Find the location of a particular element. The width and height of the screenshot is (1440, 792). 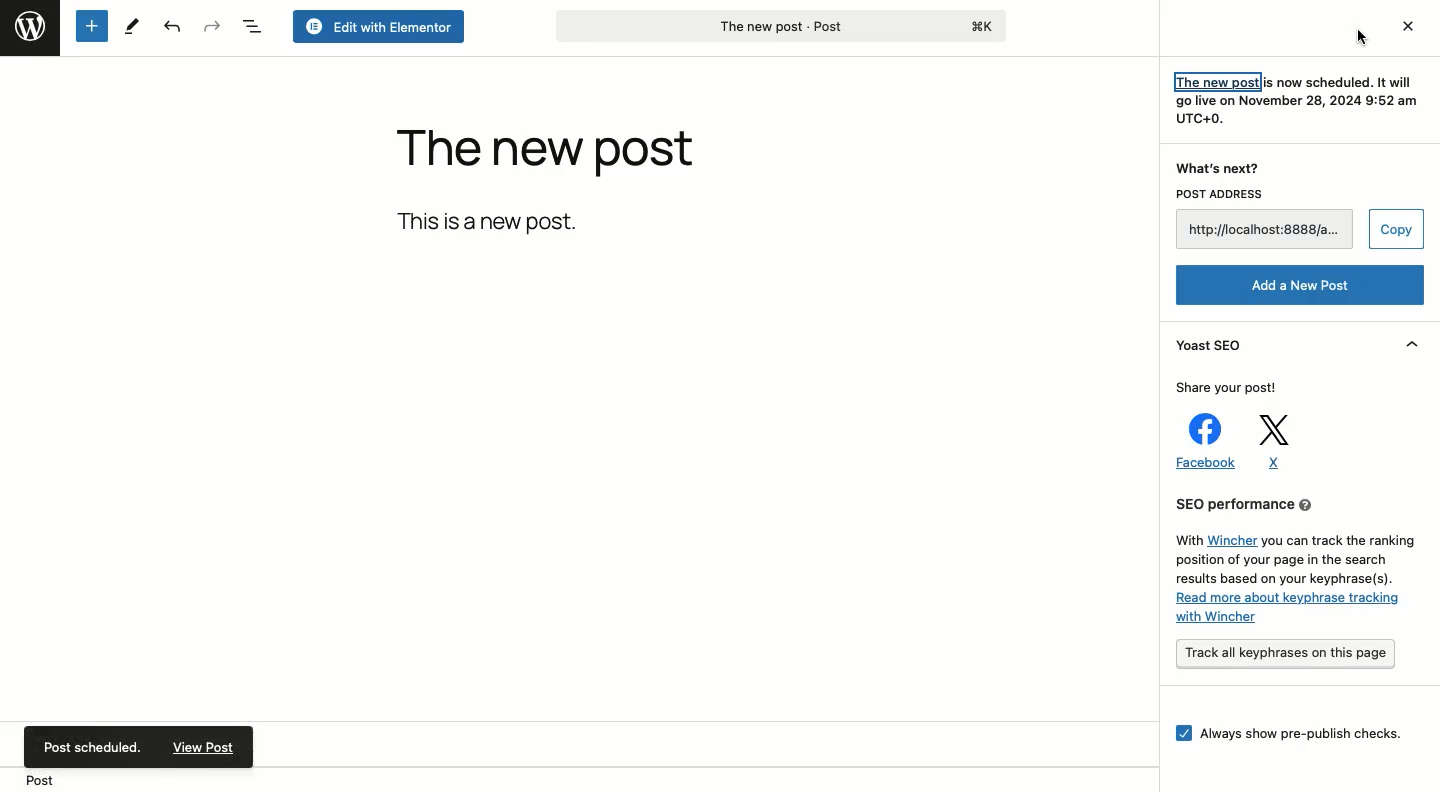

Share your post is located at coordinates (1234, 388).